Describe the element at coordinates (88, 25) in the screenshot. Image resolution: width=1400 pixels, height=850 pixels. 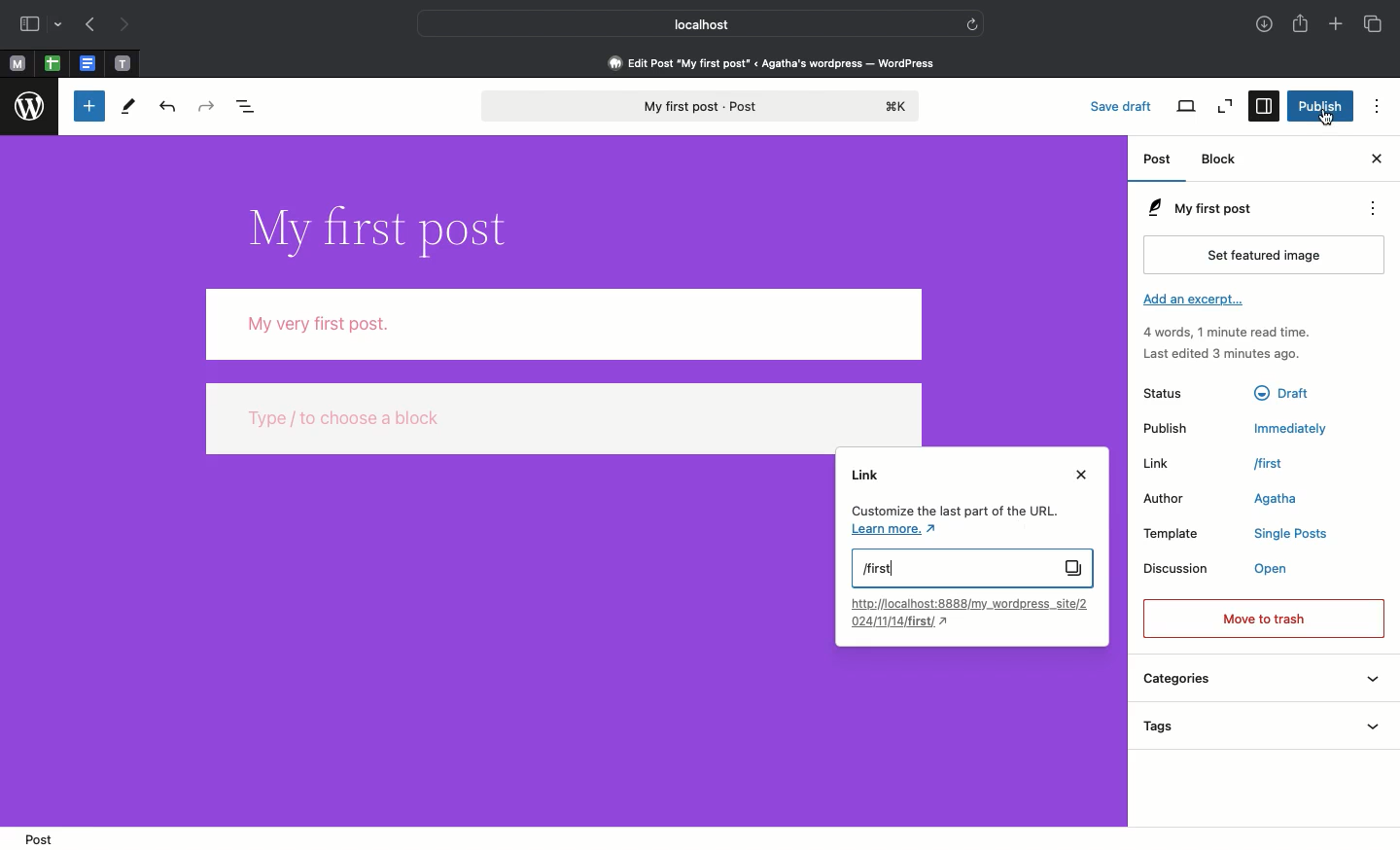
I see `Previous page` at that location.